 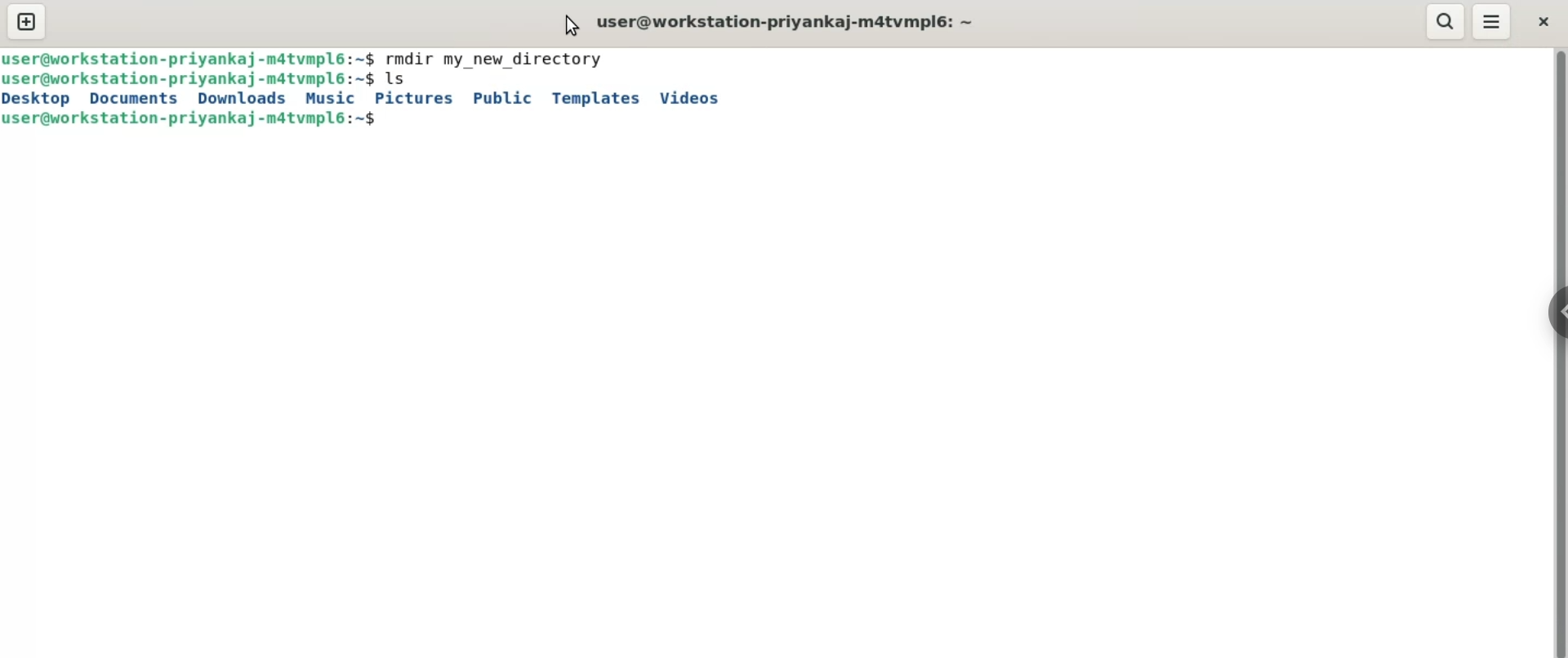 What do you see at coordinates (496, 57) in the screenshot?
I see `rmdir my_new_directory` at bounding box center [496, 57].